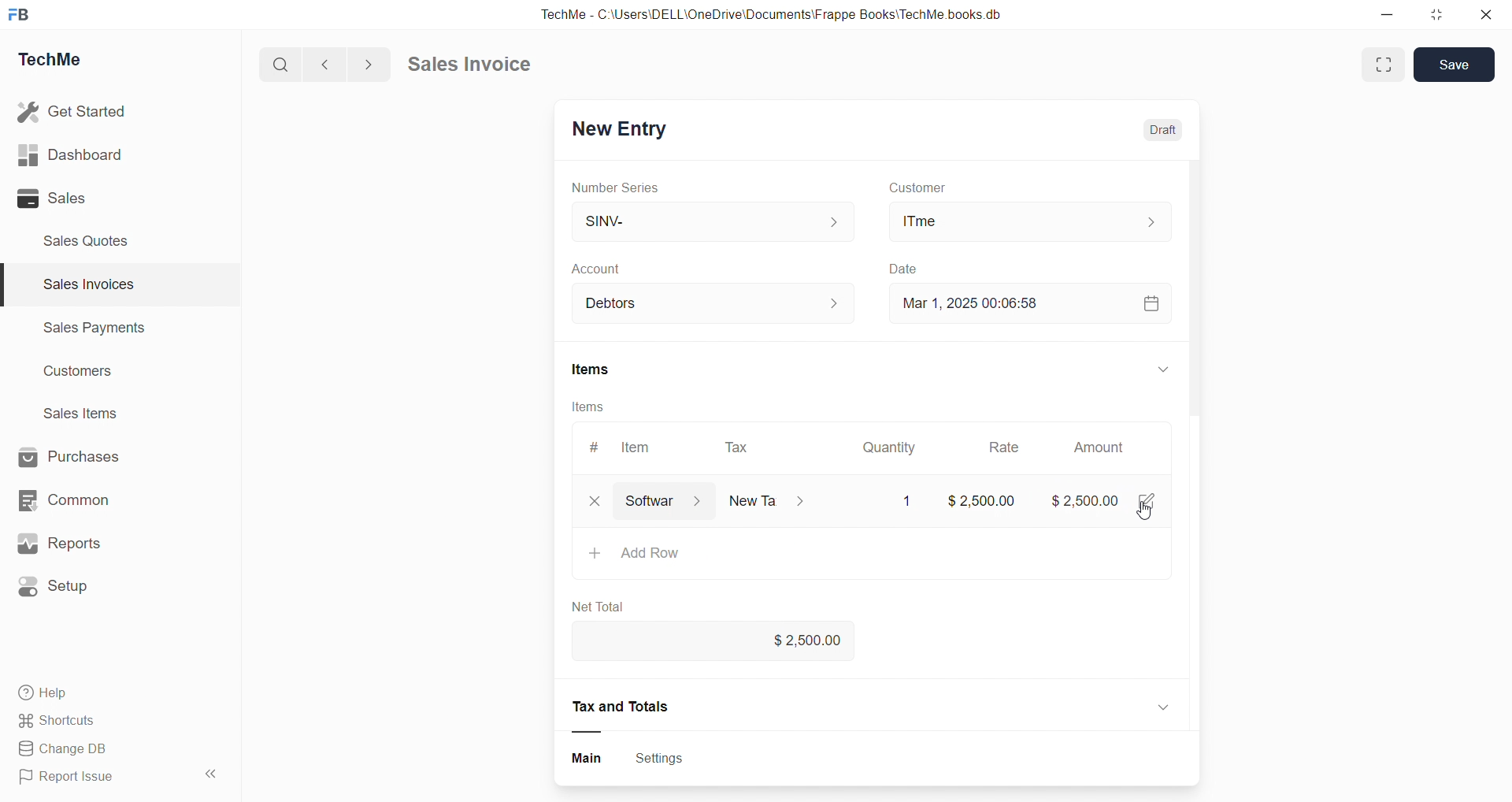  Describe the element at coordinates (1169, 132) in the screenshot. I see `Draft` at that location.